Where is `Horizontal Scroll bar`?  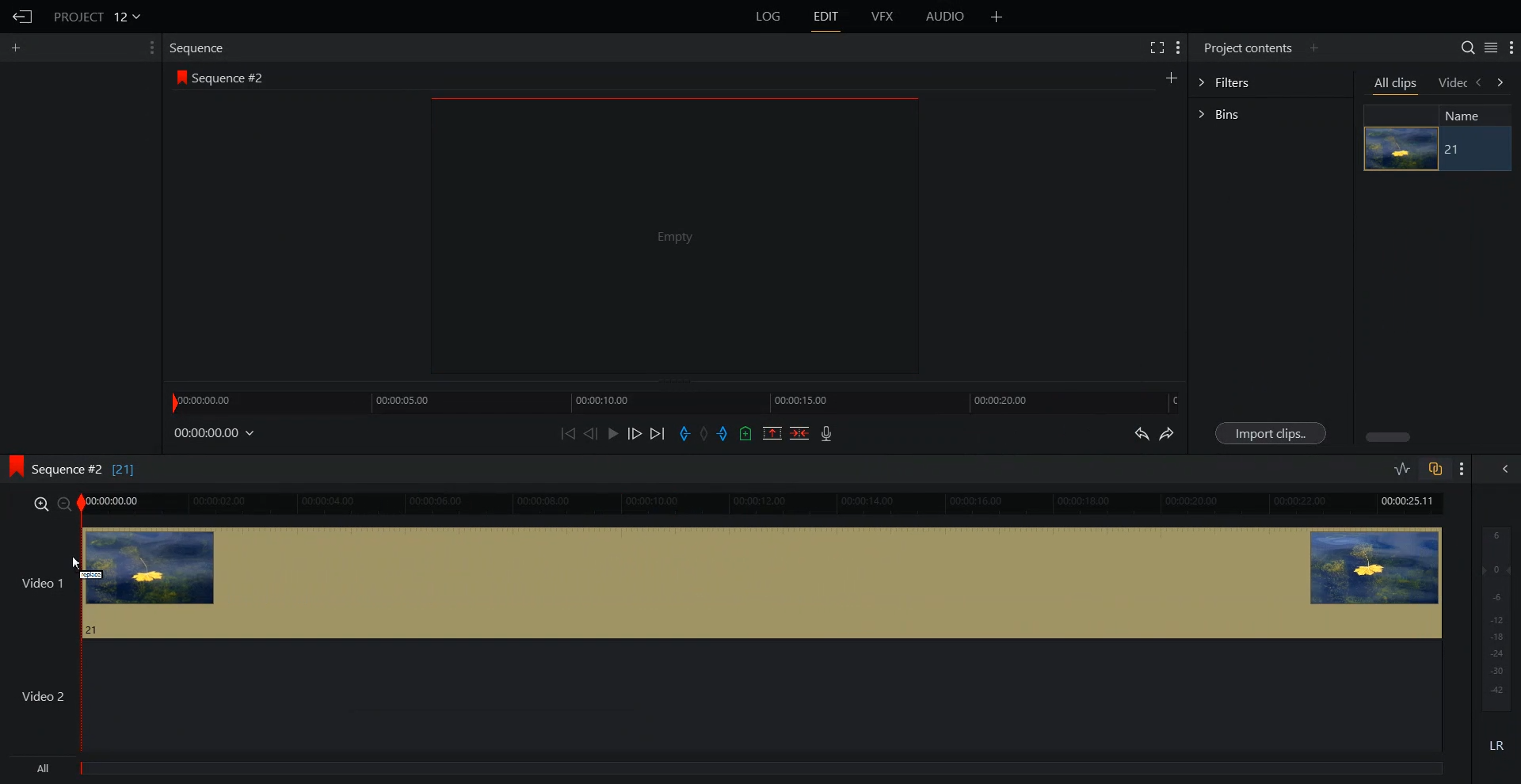
Horizontal Scroll bar is located at coordinates (1386, 437).